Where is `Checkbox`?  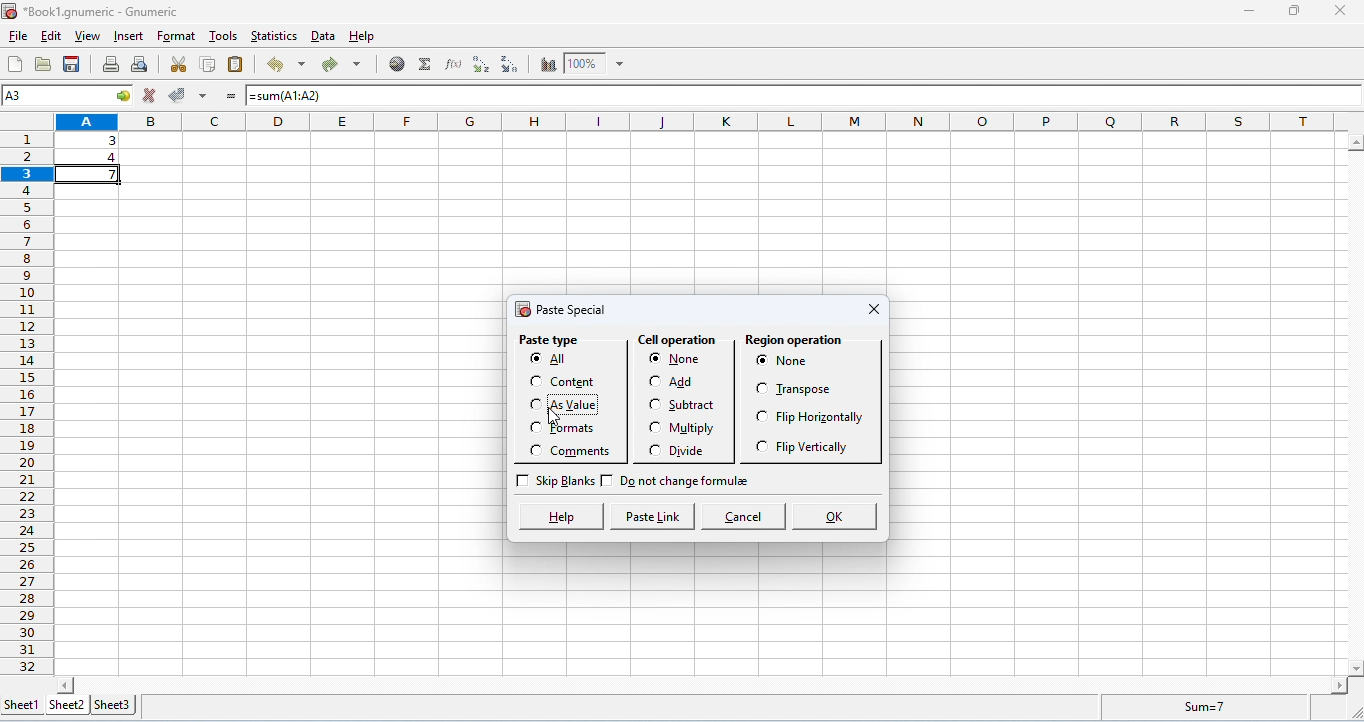
Checkbox is located at coordinates (610, 480).